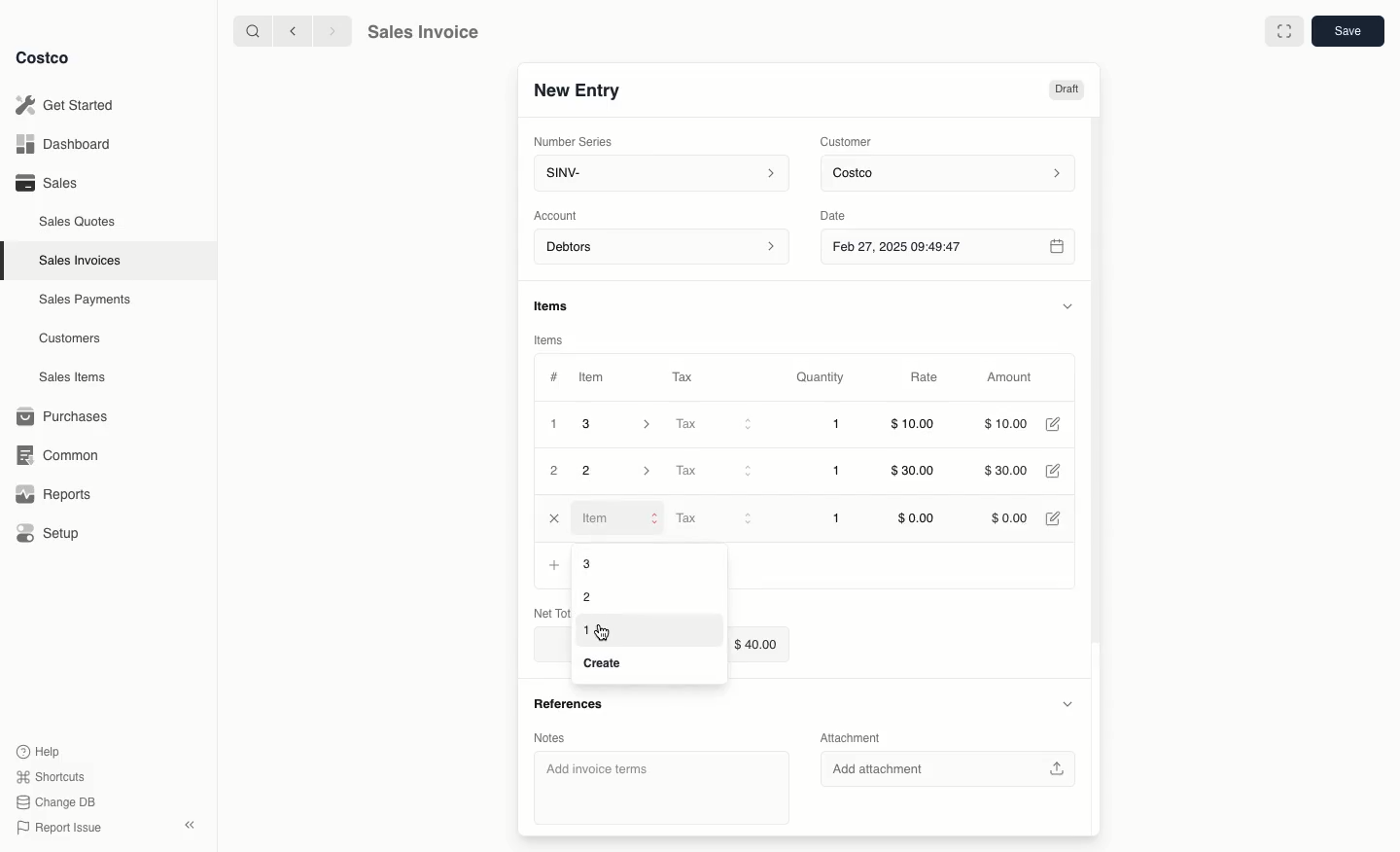 Image resolution: width=1400 pixels, height=852 pixels. Describe the element at coordinates (289, 30) in the screenshot. I see `backward` at that location.